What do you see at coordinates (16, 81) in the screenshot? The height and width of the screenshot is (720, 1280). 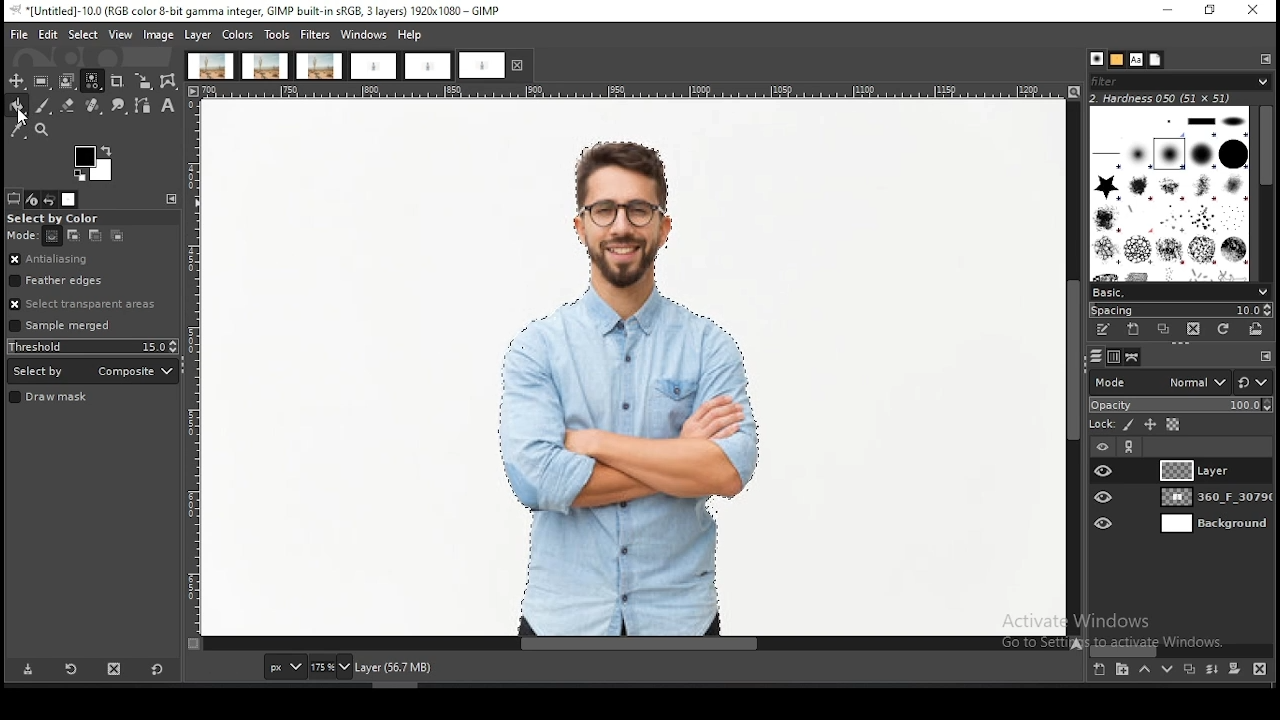 I see `move tool` at bounding box center [16, 81].